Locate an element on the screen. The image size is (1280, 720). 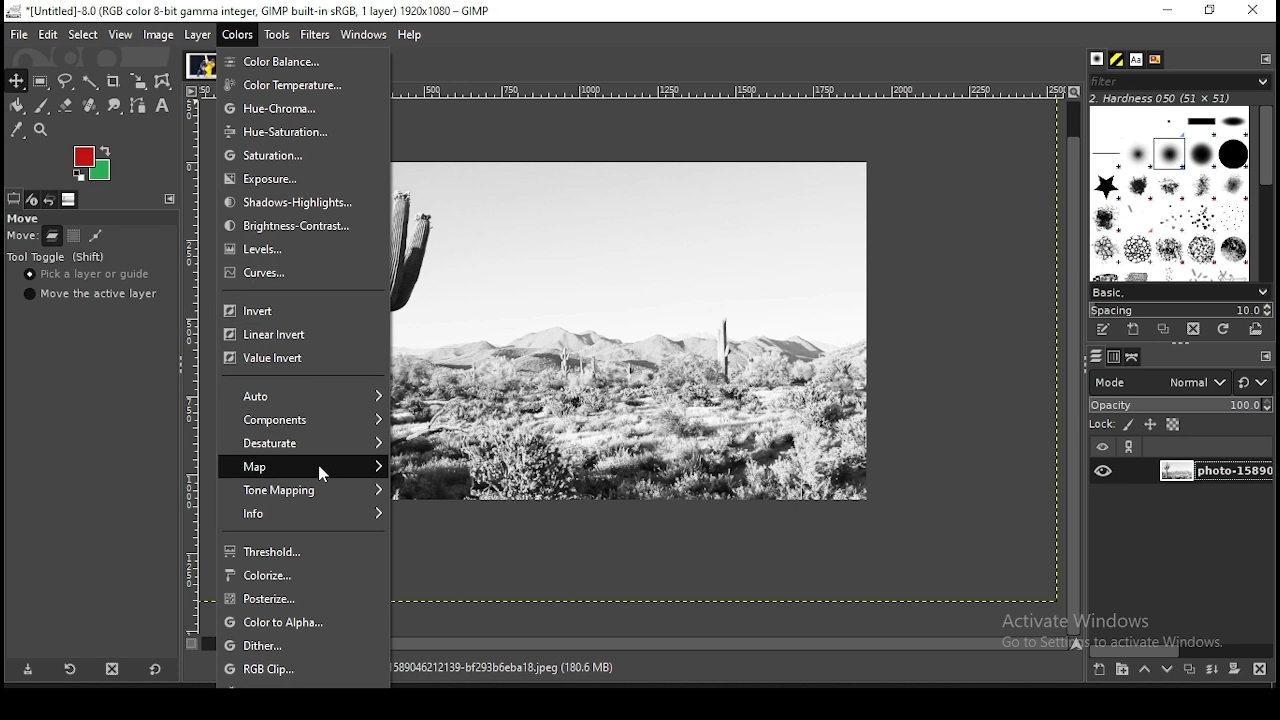
value invert is located at coordinates (293, 361).